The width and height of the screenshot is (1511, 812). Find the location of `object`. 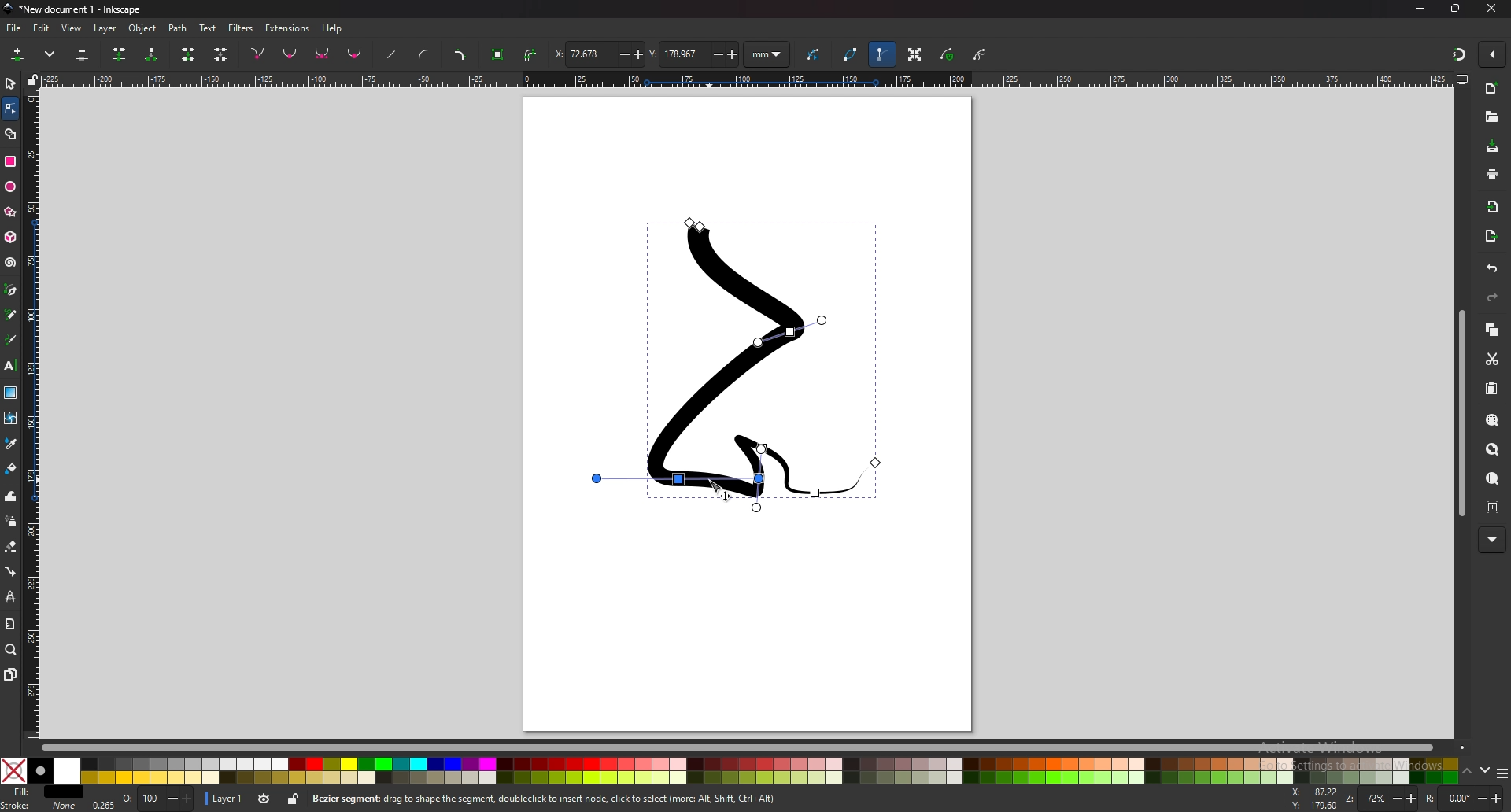

object is located at coordinates (142, 28).